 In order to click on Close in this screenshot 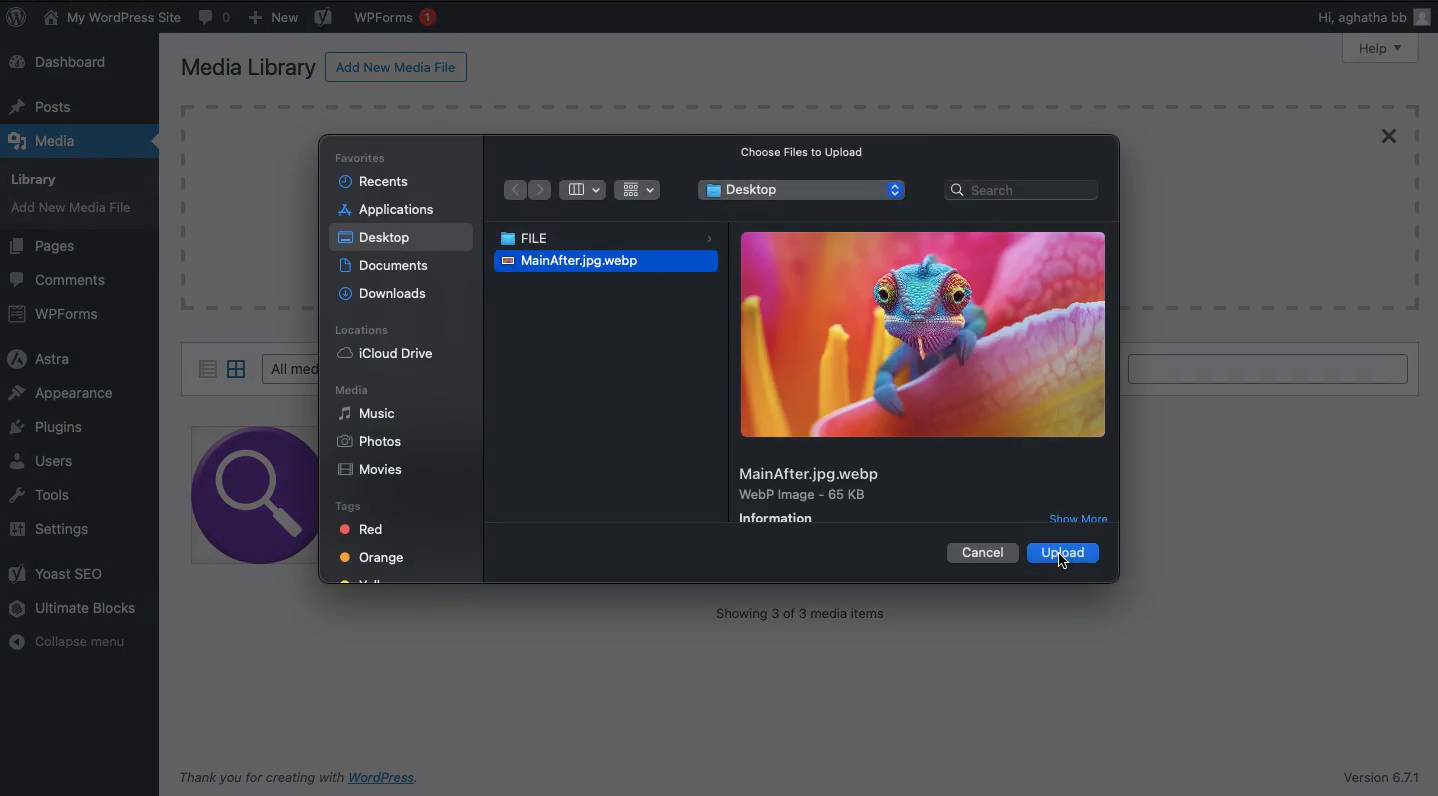, I will do `click(1393, 136)`.